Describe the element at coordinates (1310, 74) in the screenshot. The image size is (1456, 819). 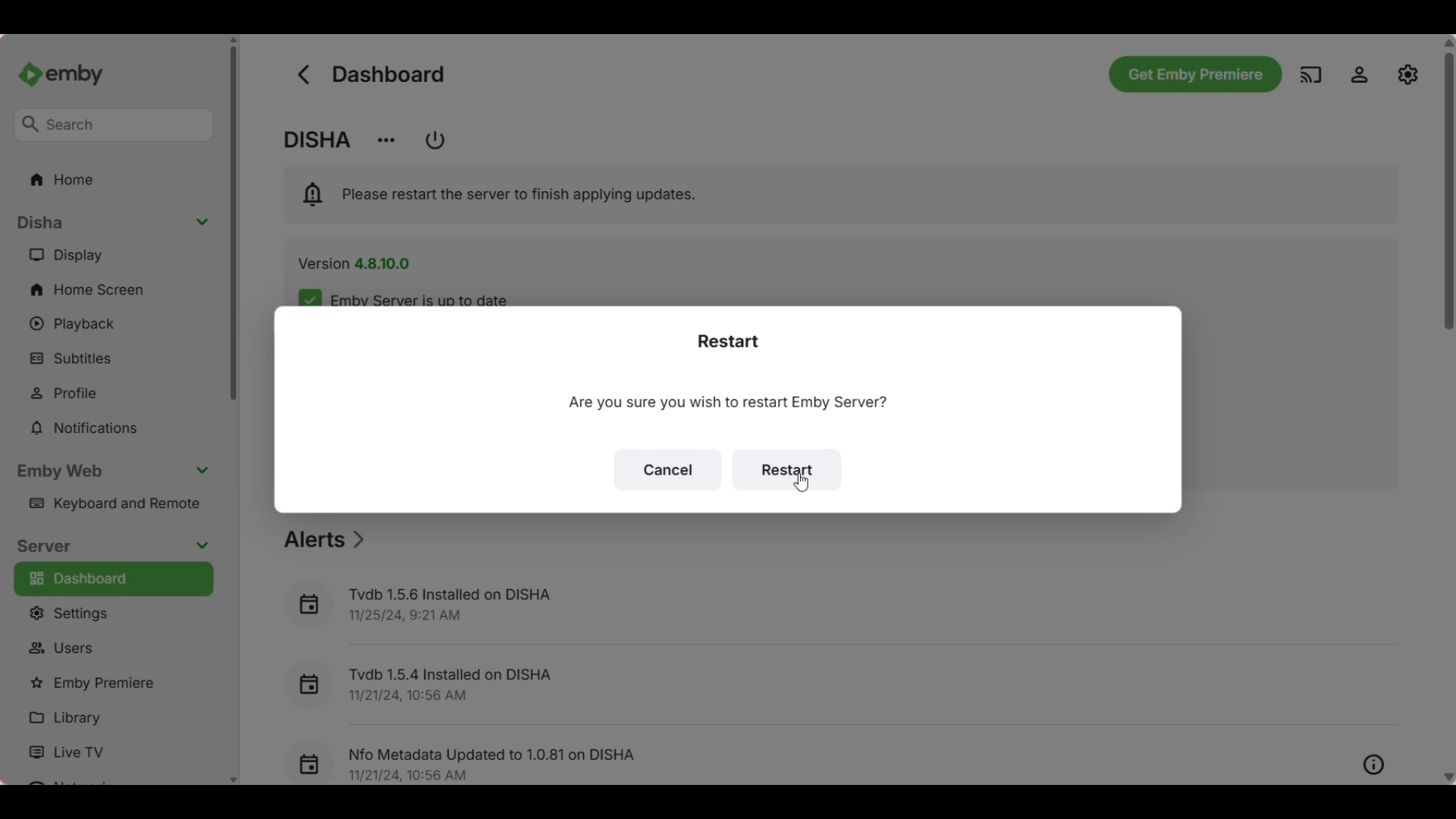
I see `Play on another device` at that location.